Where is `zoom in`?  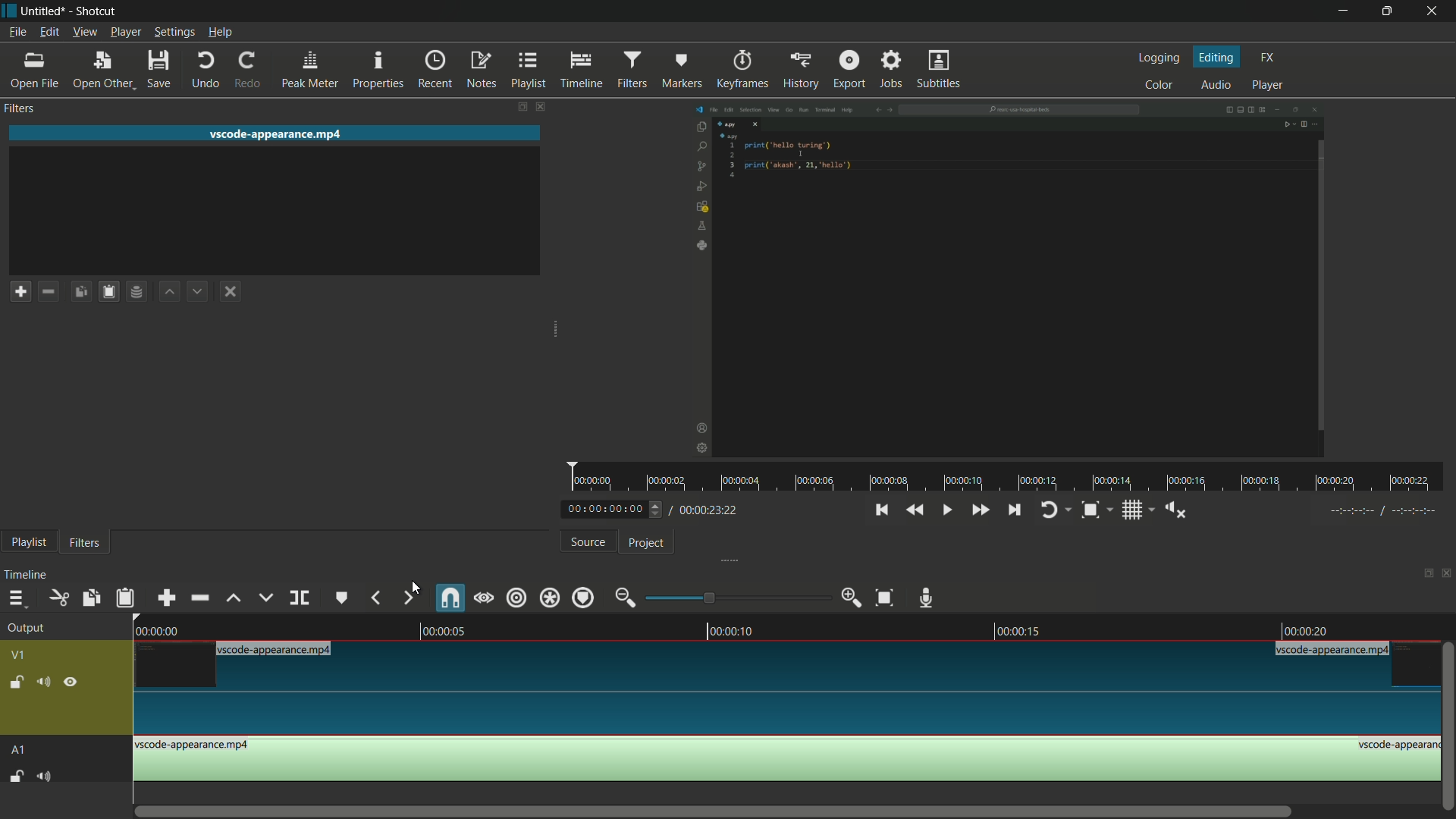
zoom in is located at coordinates (852, 598).